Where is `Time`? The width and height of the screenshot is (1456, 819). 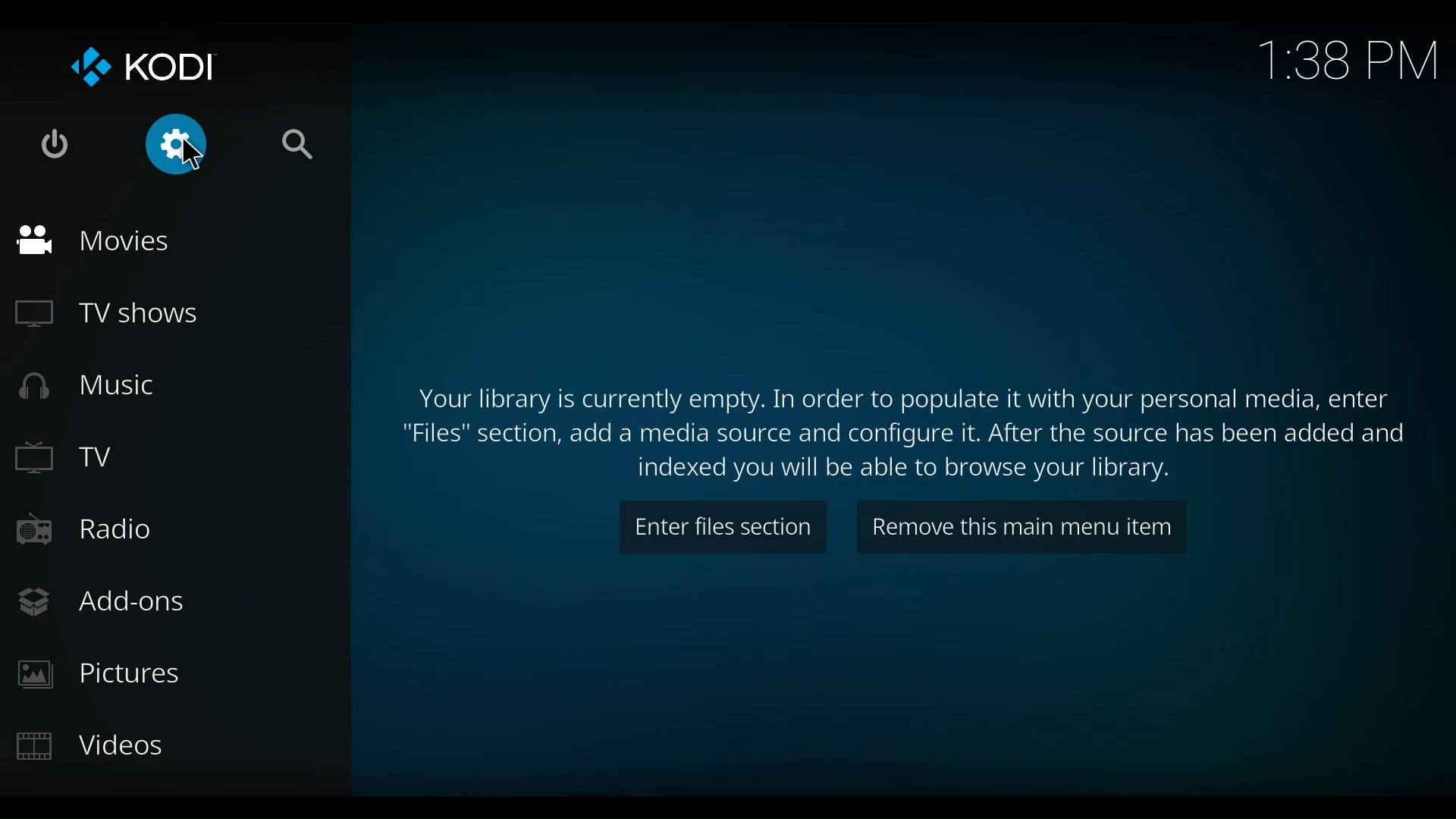
Time is located at coordinates (1348, 63).